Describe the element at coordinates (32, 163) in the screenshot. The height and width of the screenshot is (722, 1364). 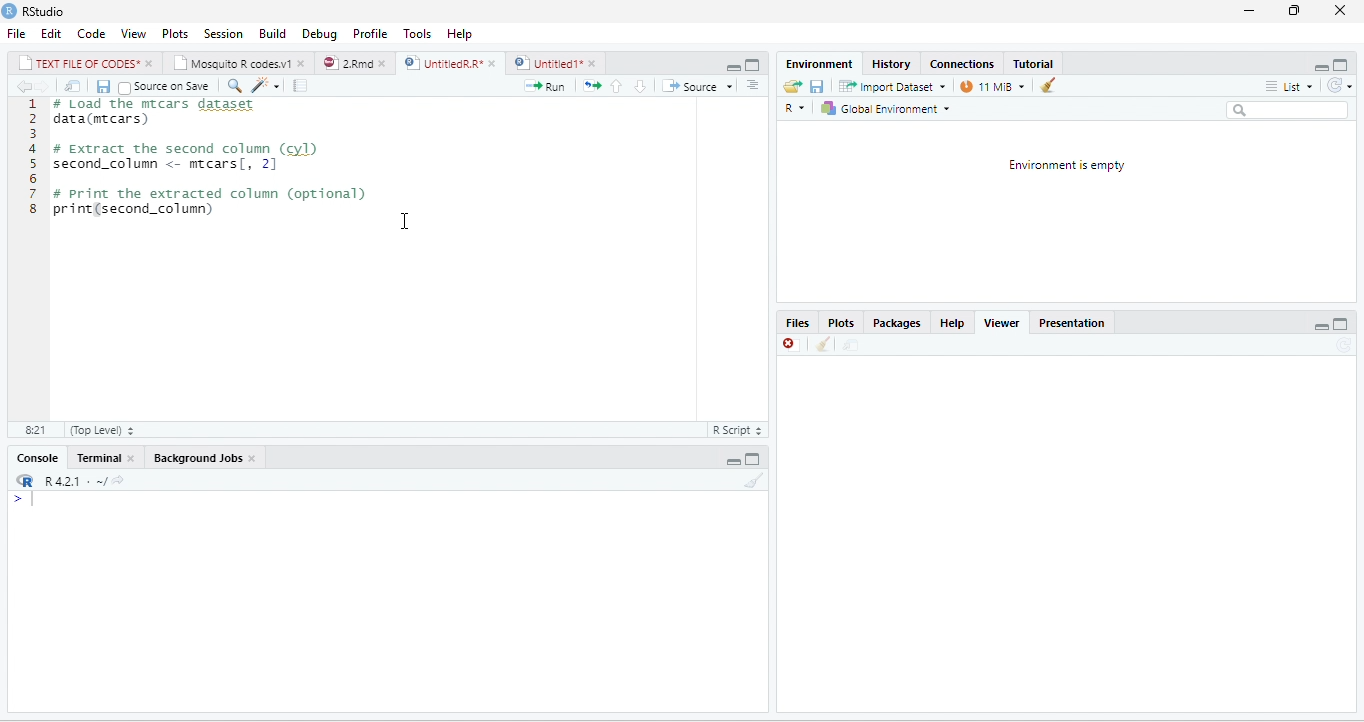
I see `5` at that location.